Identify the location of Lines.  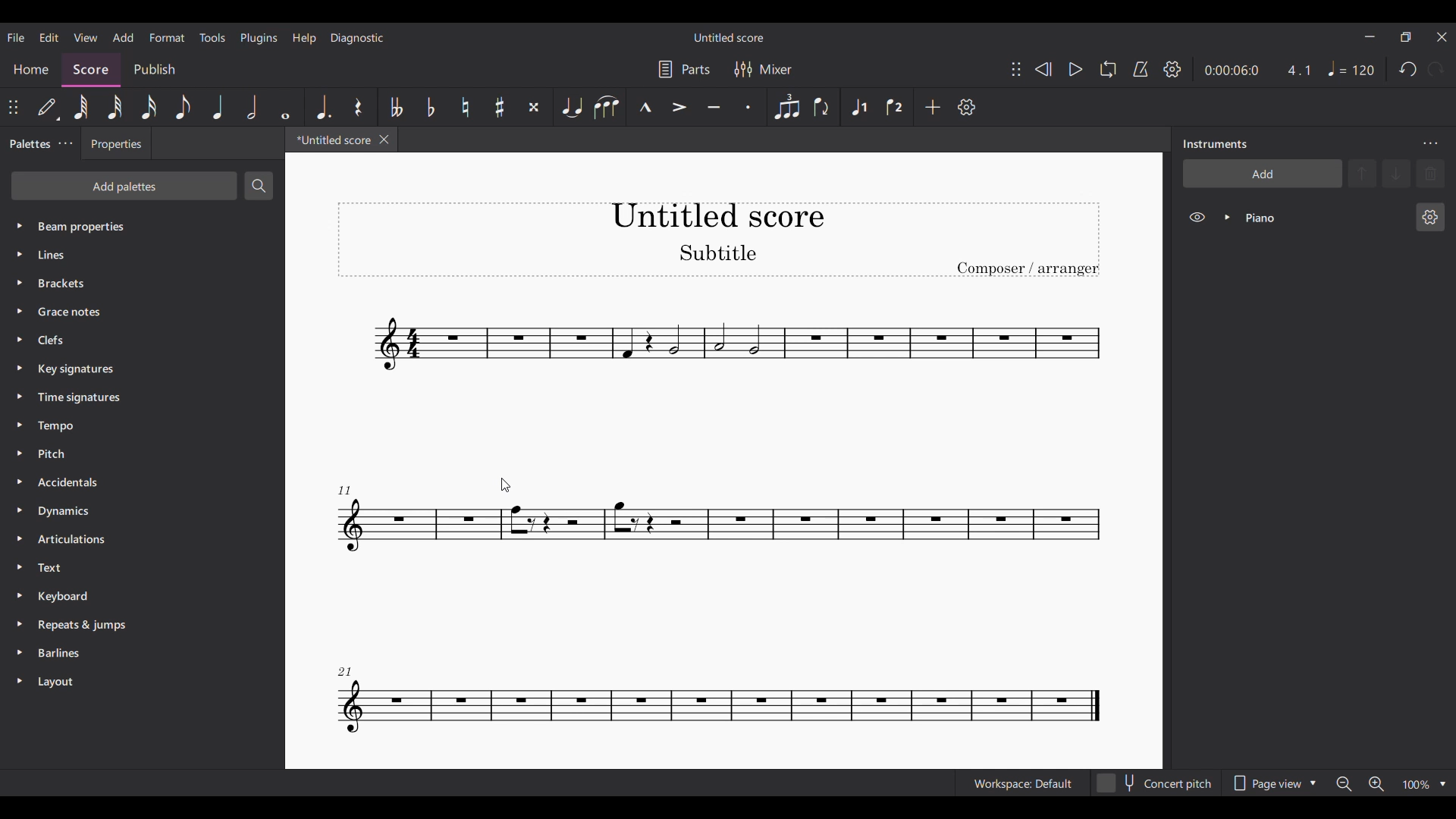
(135, 254).